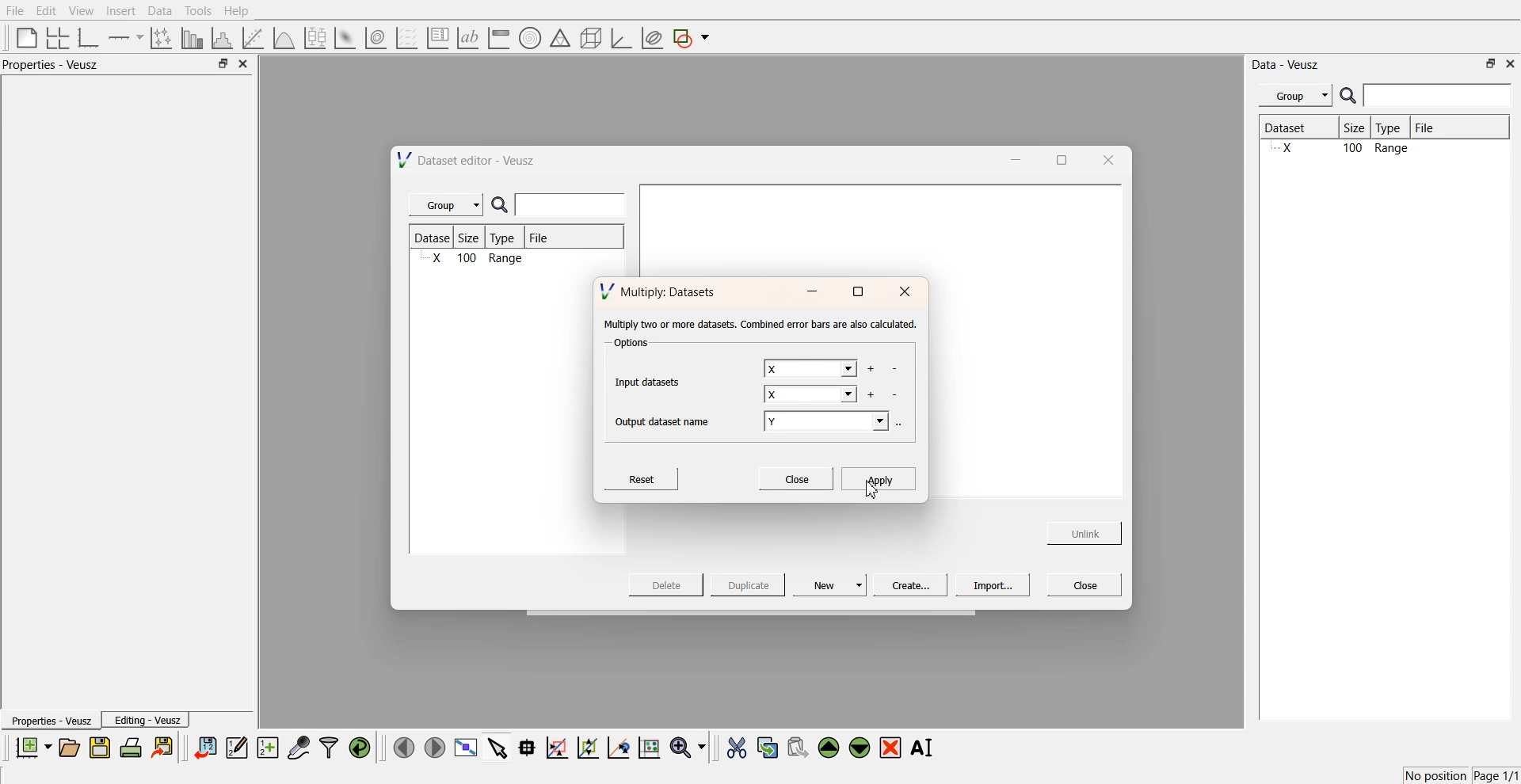 This screenshot has height=784, width=1521. Describe the element at coordinates (527, 748) in the screenshot. I see `read data points` at that location.